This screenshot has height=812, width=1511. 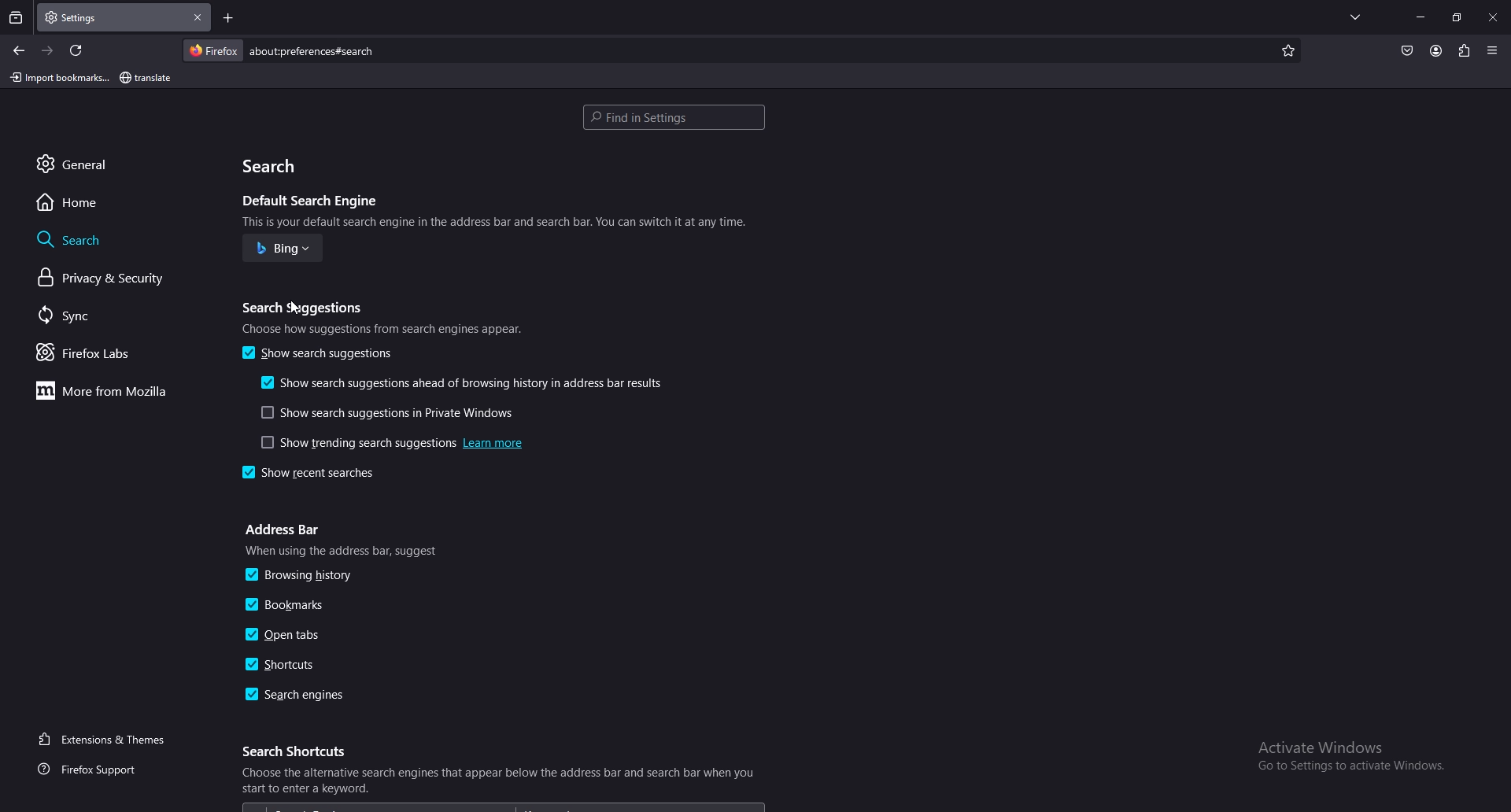 What do you see at coordinates (1407, 51) in the screenshot?
I see `save to pocket` at bounding box center [1407, 51].